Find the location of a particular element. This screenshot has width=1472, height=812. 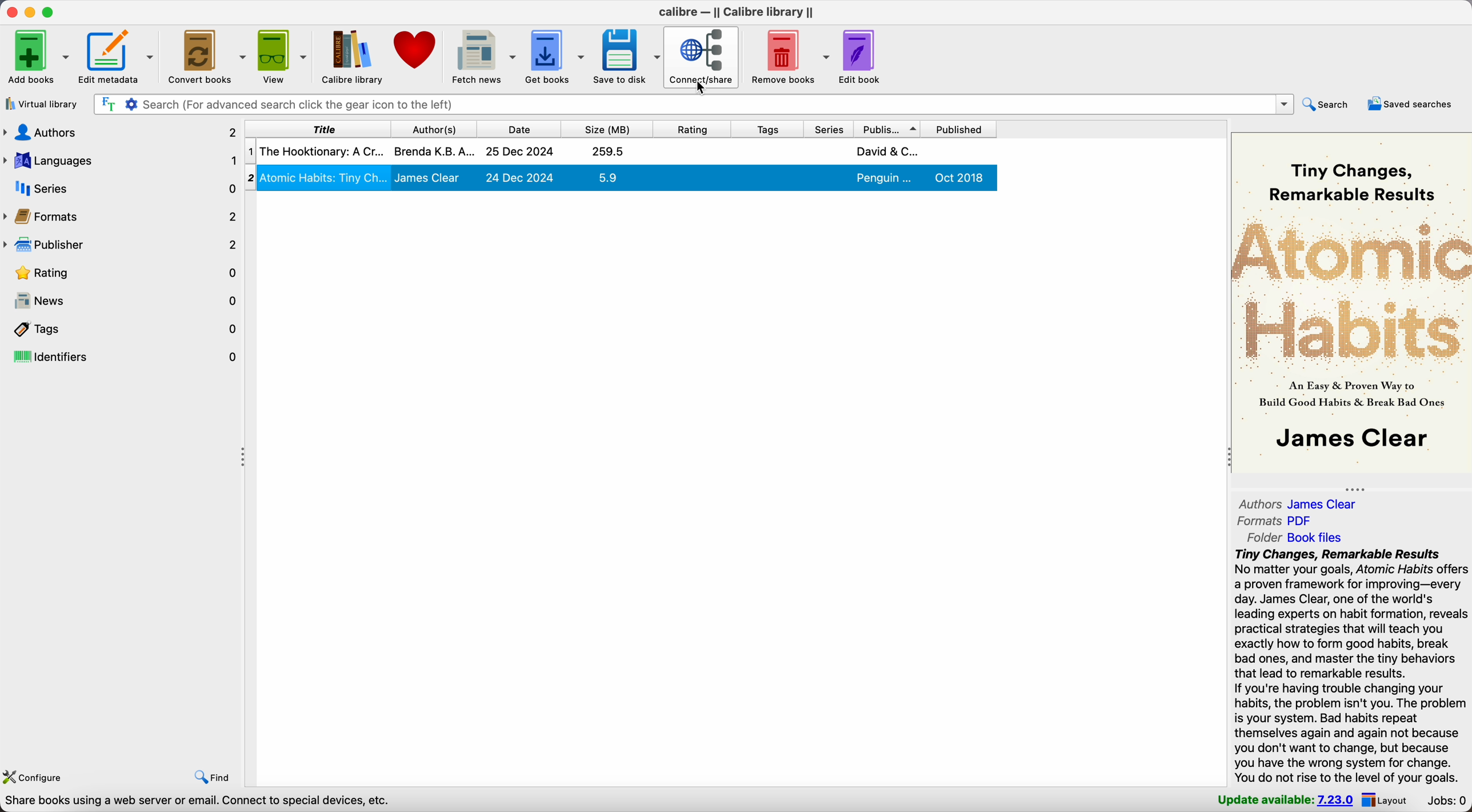

5.9 is located at coordinates (607, 177).